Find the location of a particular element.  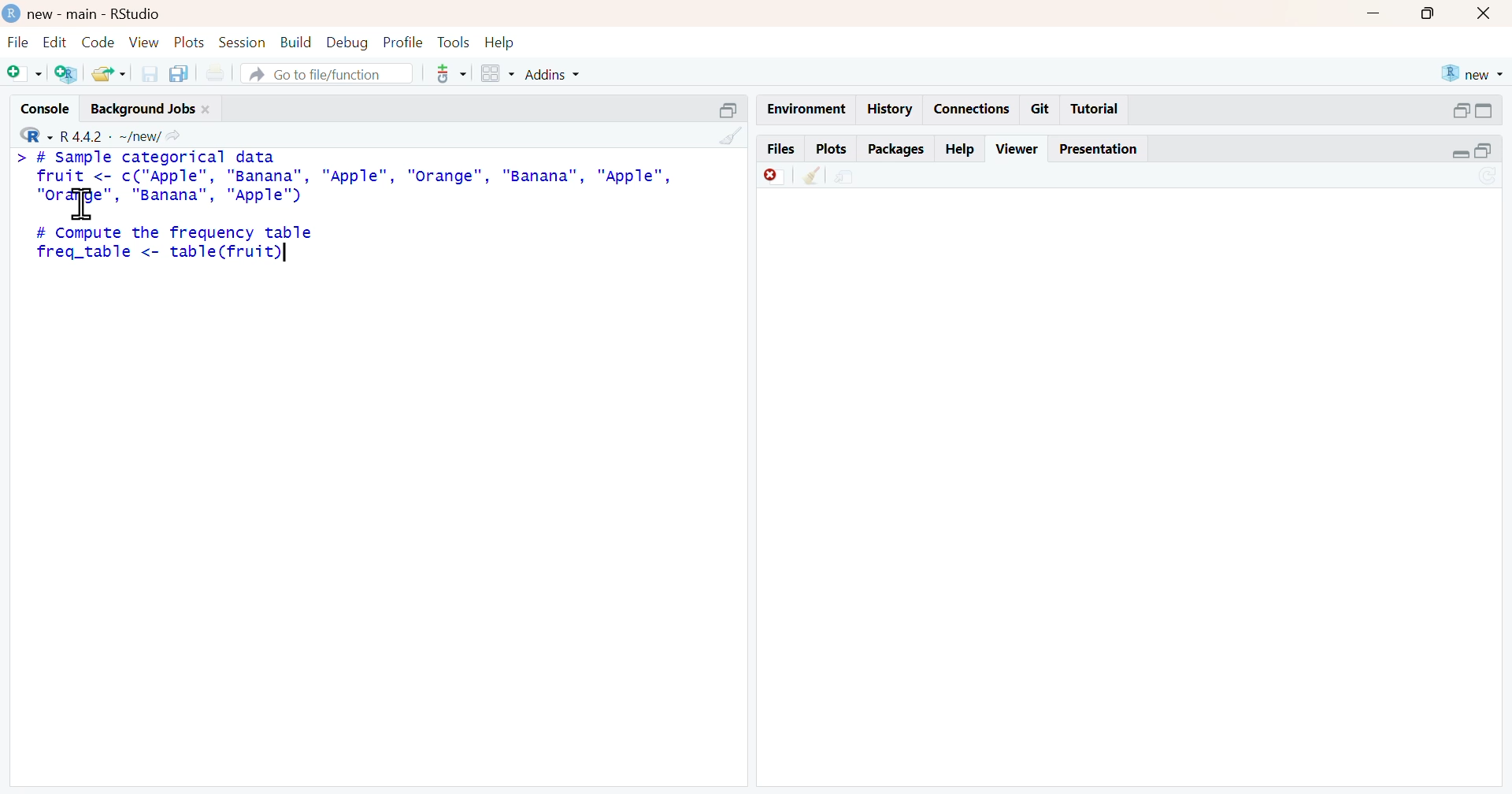

remove current viewer is located at coordinates (771, 177).